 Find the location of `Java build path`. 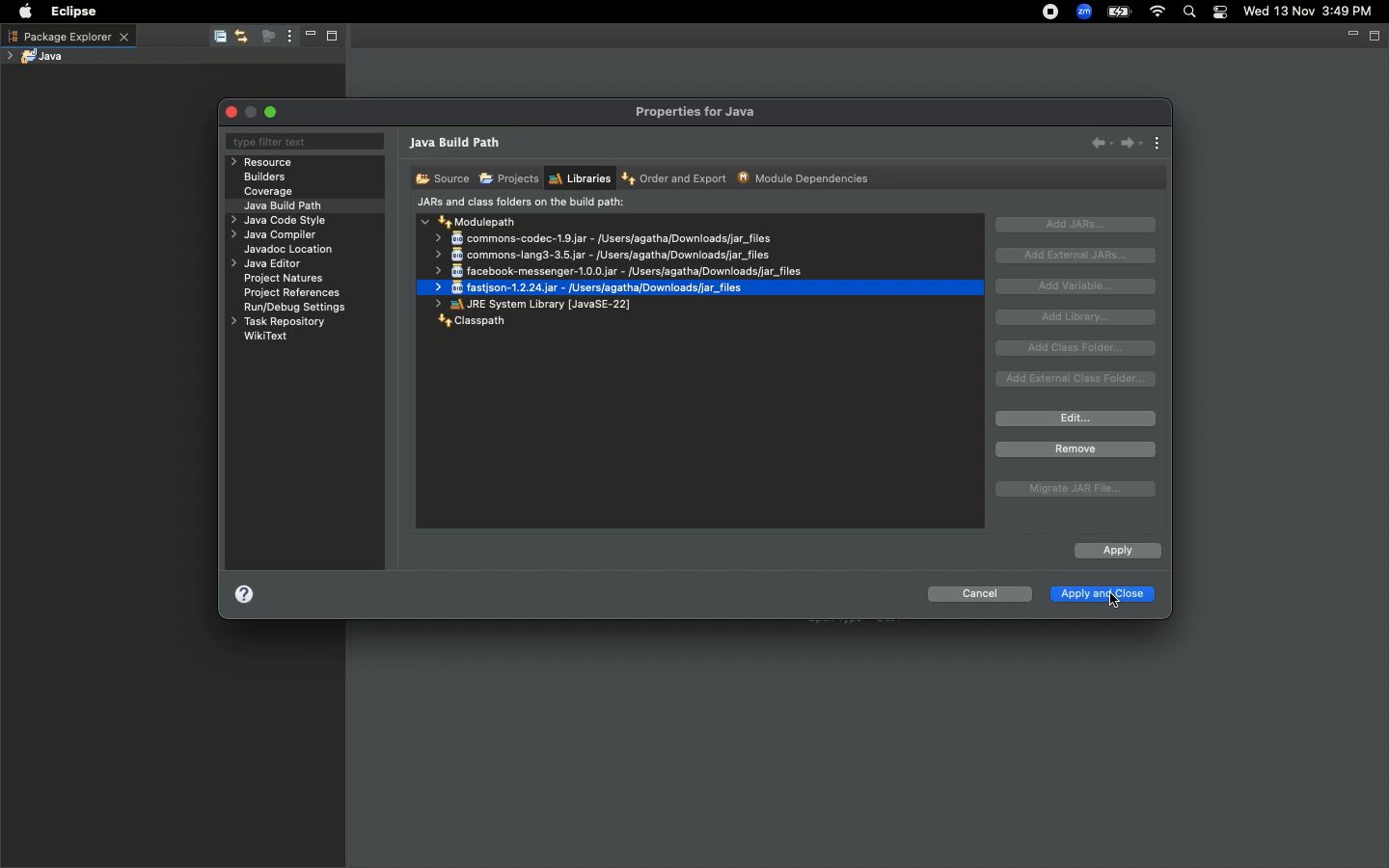

Java build path is located at coordinates (287, 204).